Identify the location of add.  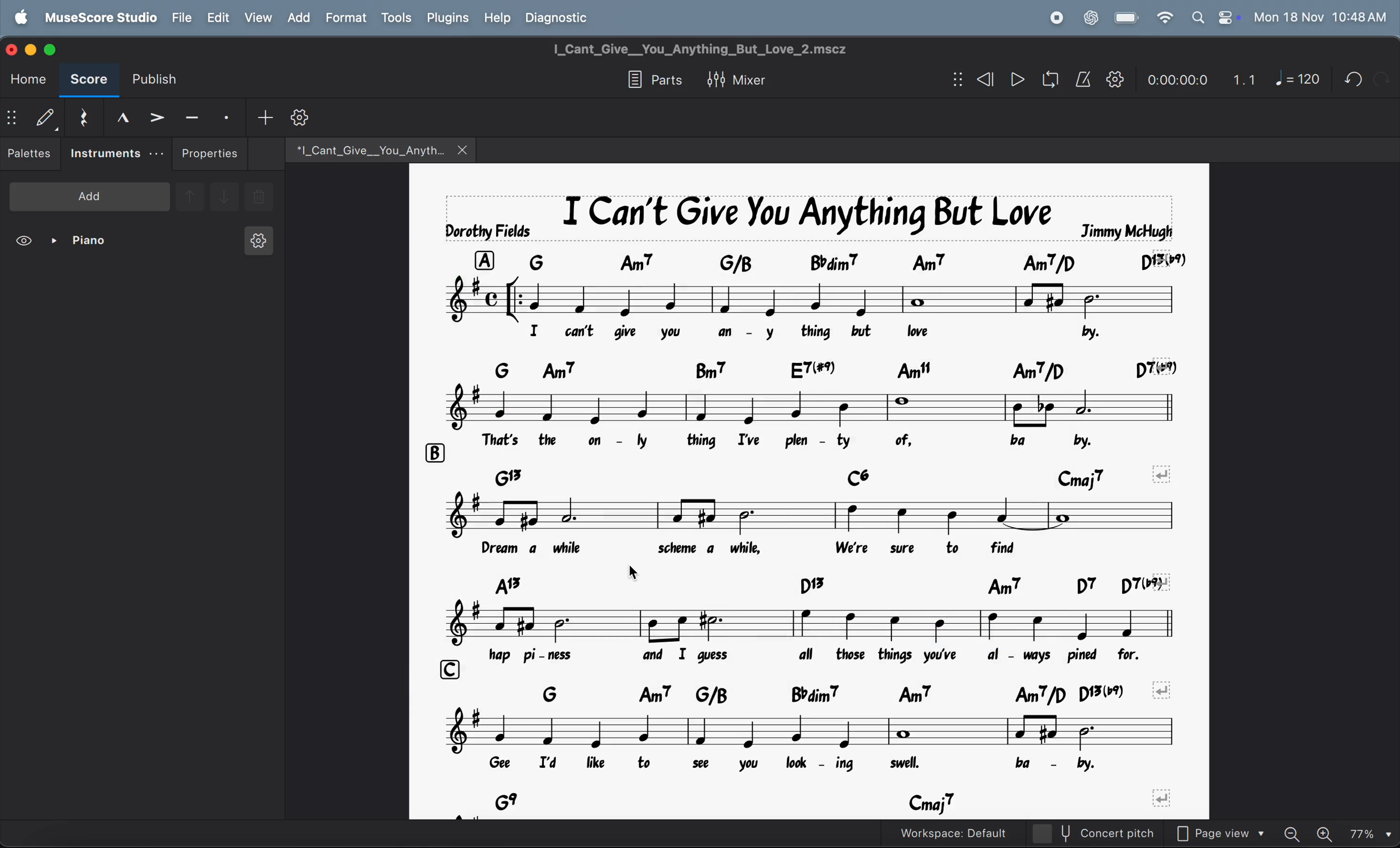
(265, 116).